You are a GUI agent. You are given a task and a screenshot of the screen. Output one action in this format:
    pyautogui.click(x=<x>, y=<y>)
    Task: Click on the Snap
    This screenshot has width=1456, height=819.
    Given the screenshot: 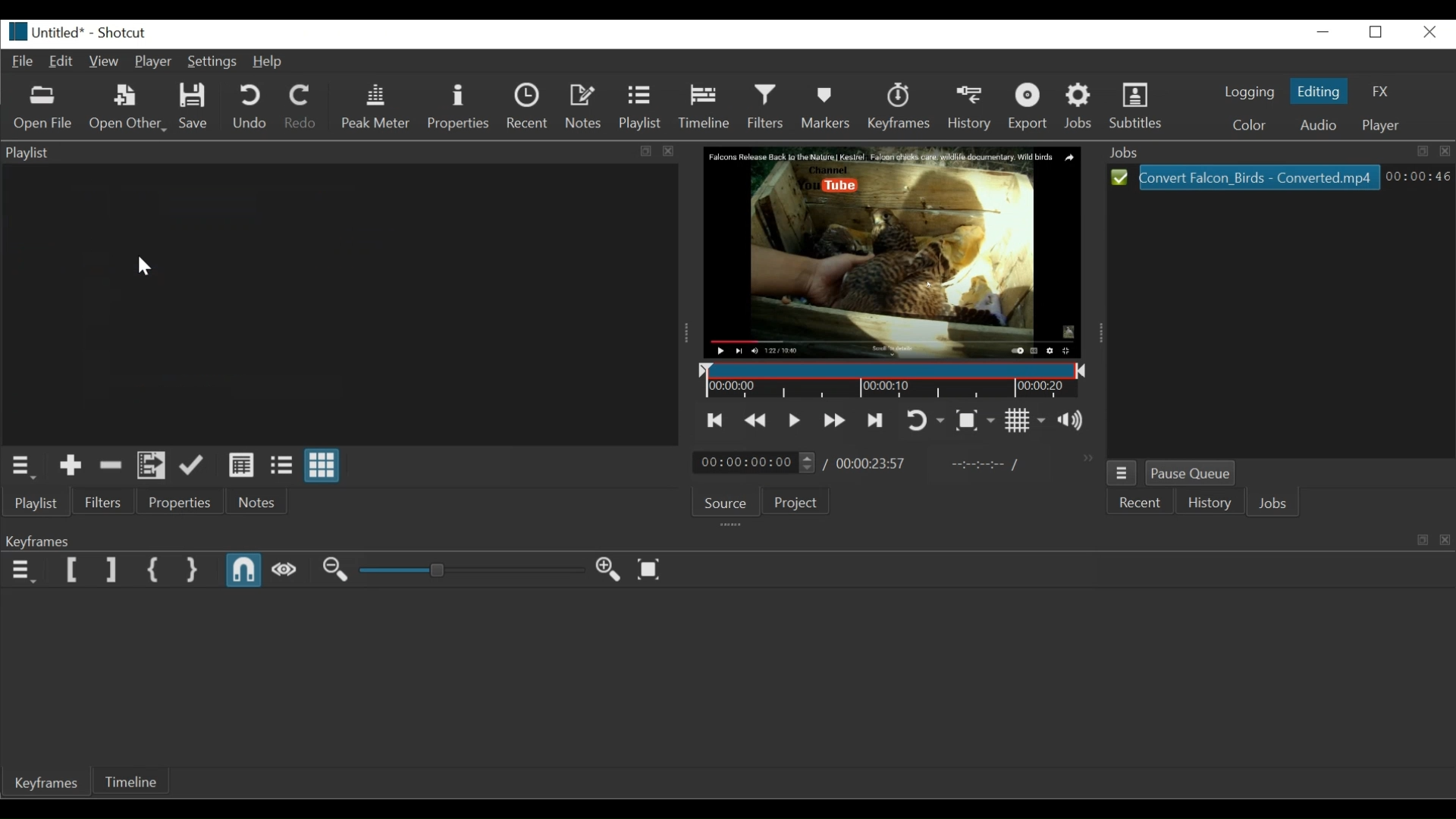 What is the action you would take?
    pyautogui.click(x=244, y=571)
    